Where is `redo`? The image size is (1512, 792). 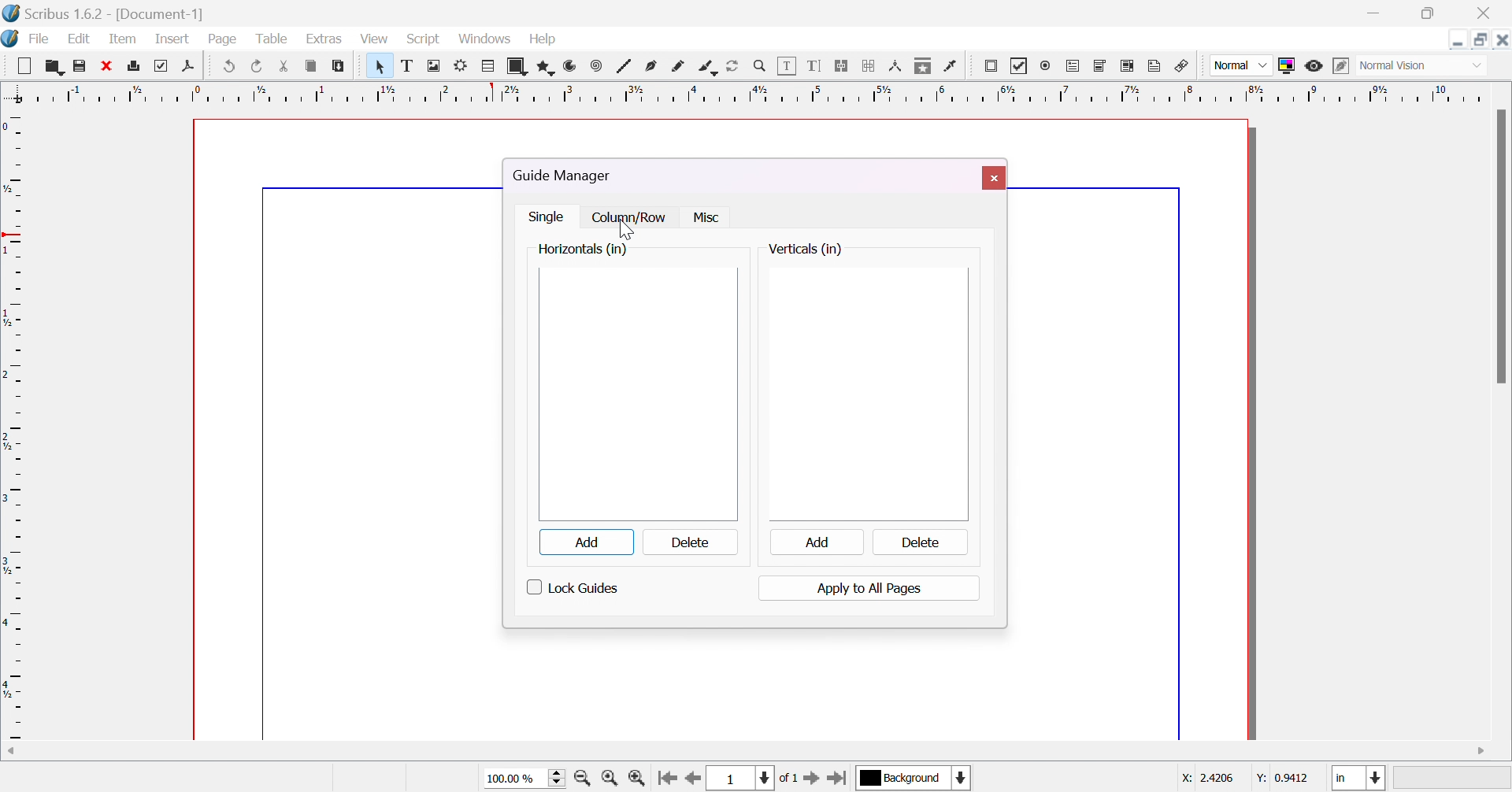 redo is located at coordinates (256, 65).